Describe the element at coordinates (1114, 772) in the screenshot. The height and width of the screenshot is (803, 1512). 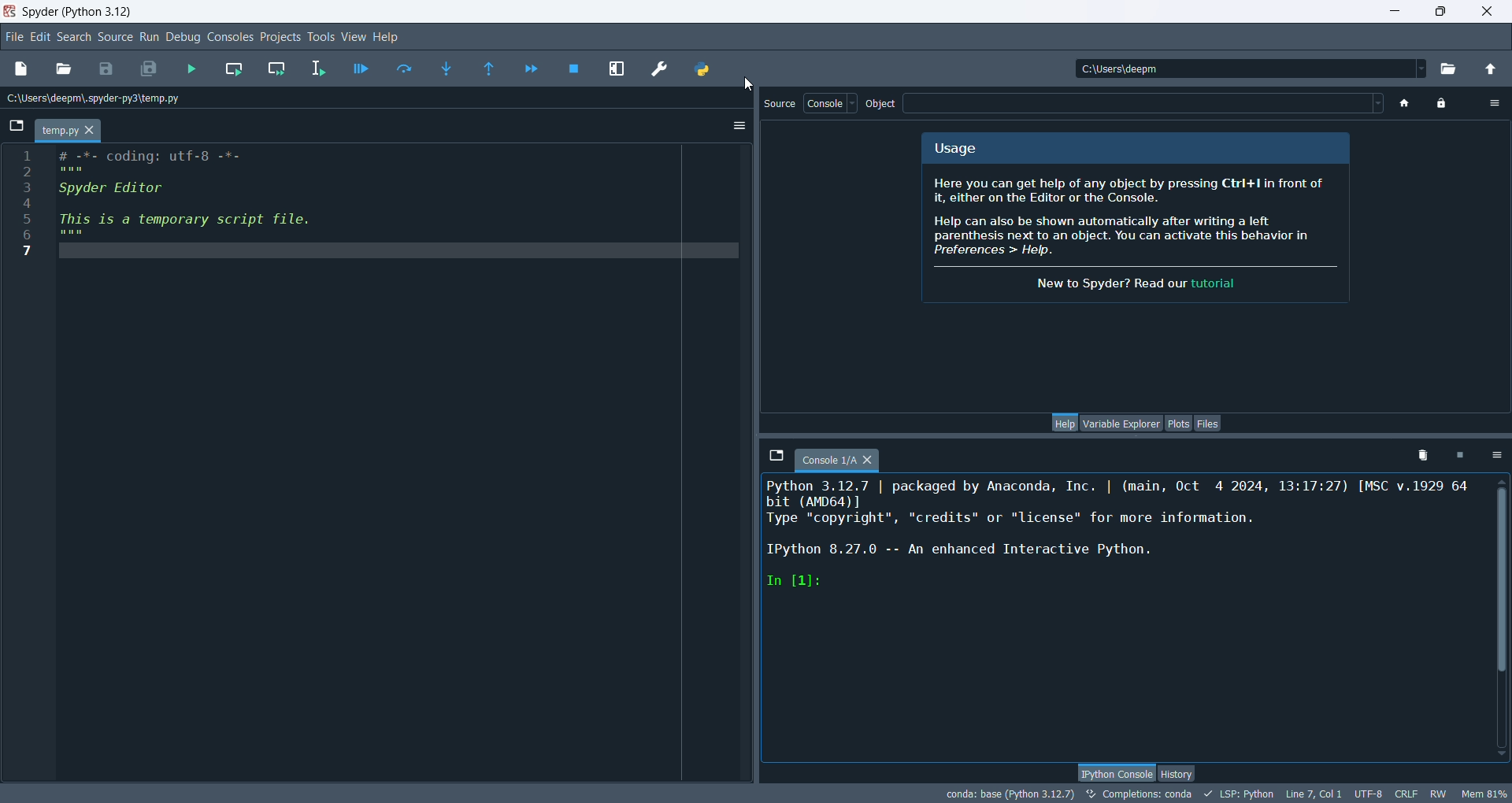
I see `python console` at that location.